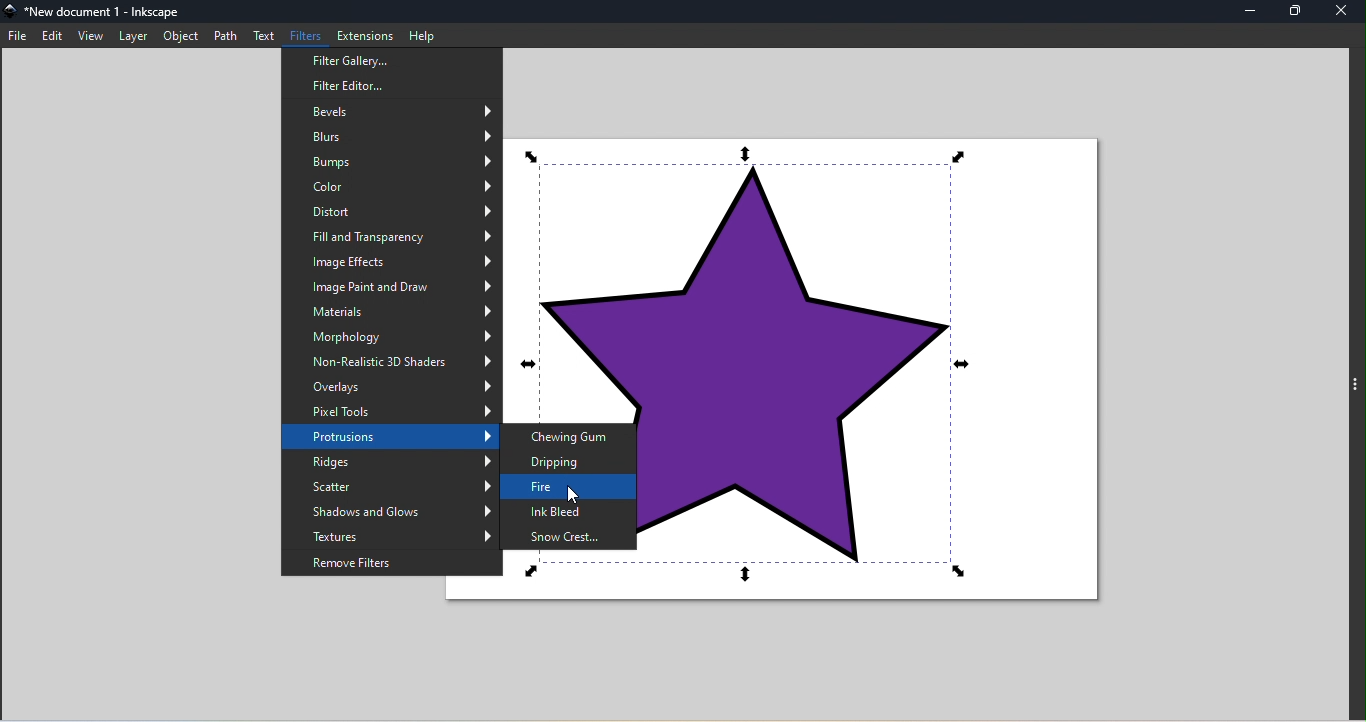  What do you see at coordinates (91, 38) in the screenshot?
I see `View` at bounding box center [91, 38].